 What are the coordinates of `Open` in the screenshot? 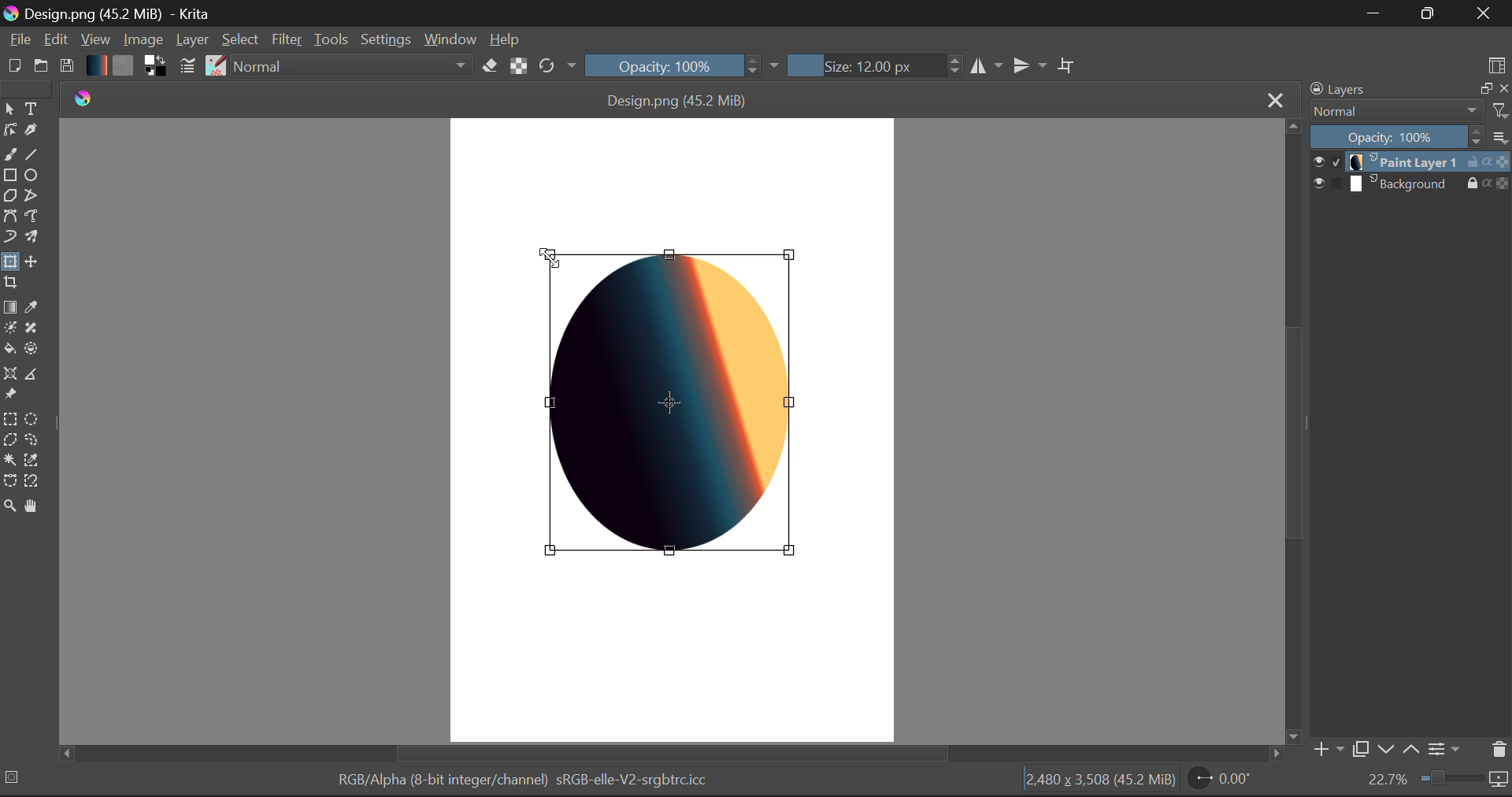 It's located at (41, 66).